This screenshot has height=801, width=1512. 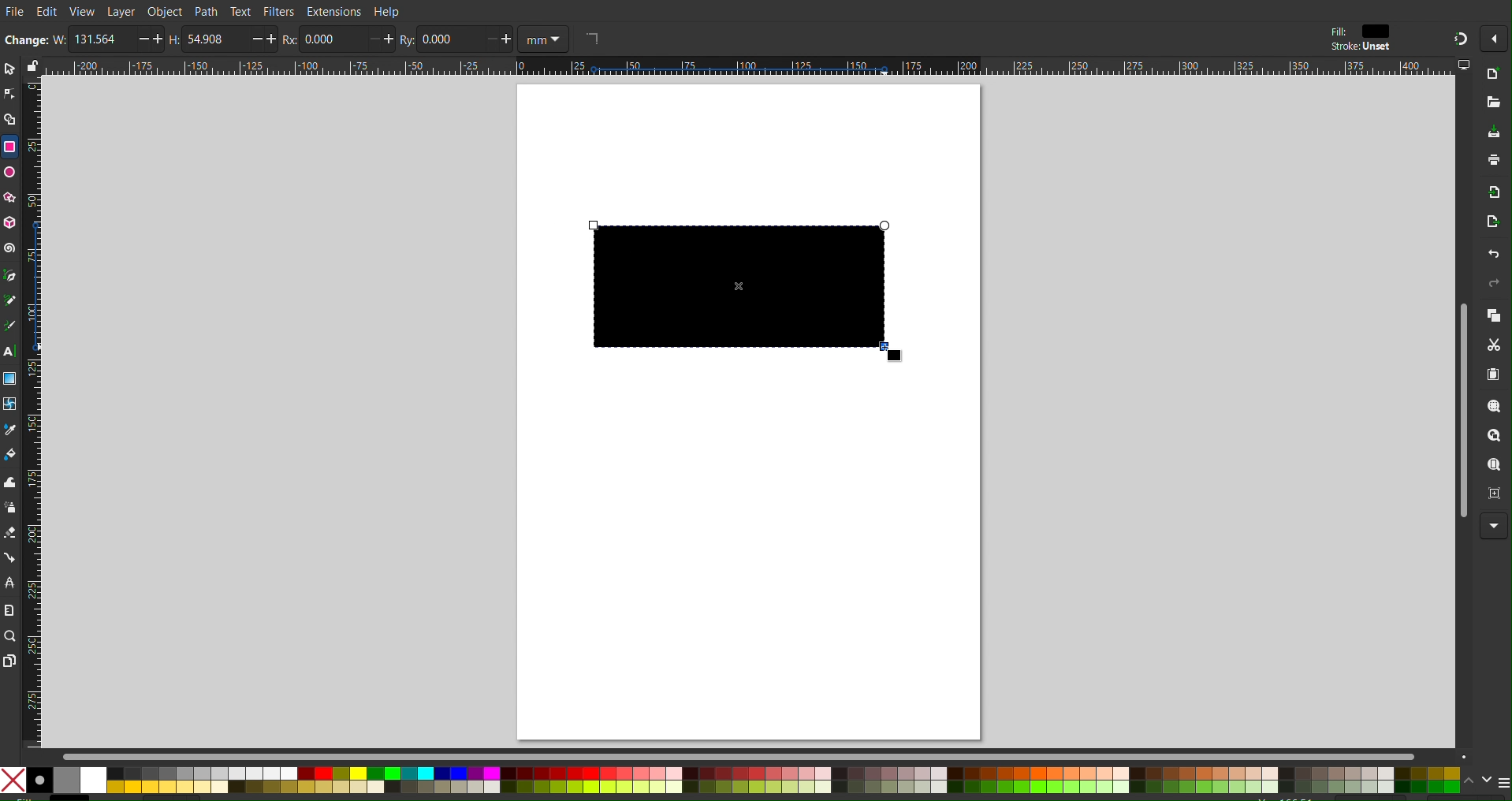 What do you see at coordinates (9, 173) in the screenshot?
I see `Ellipse` at bounding box center [9, 173].